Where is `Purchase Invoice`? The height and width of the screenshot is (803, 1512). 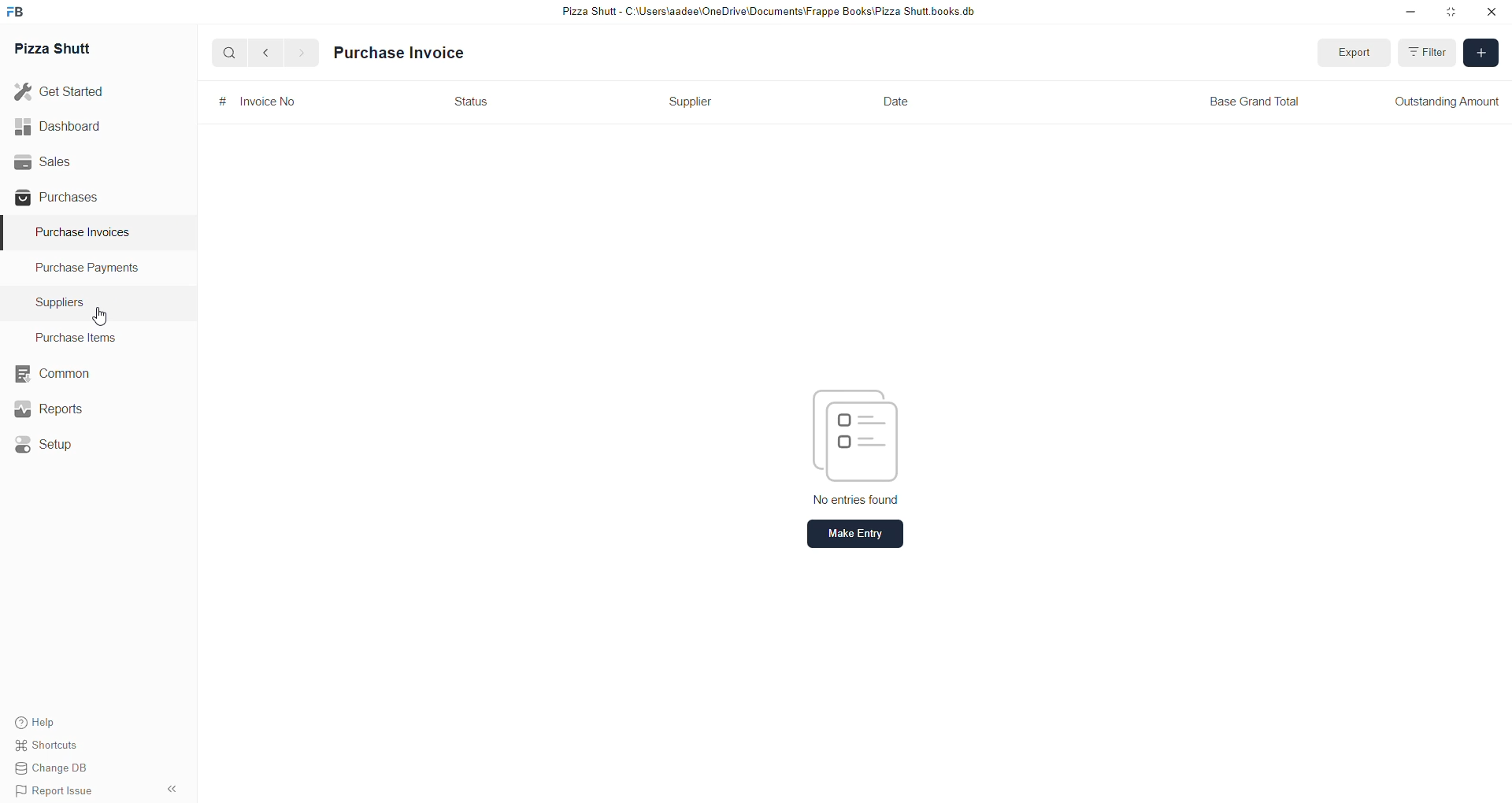 Purchase Invoice is located at coordinates (405, 52).